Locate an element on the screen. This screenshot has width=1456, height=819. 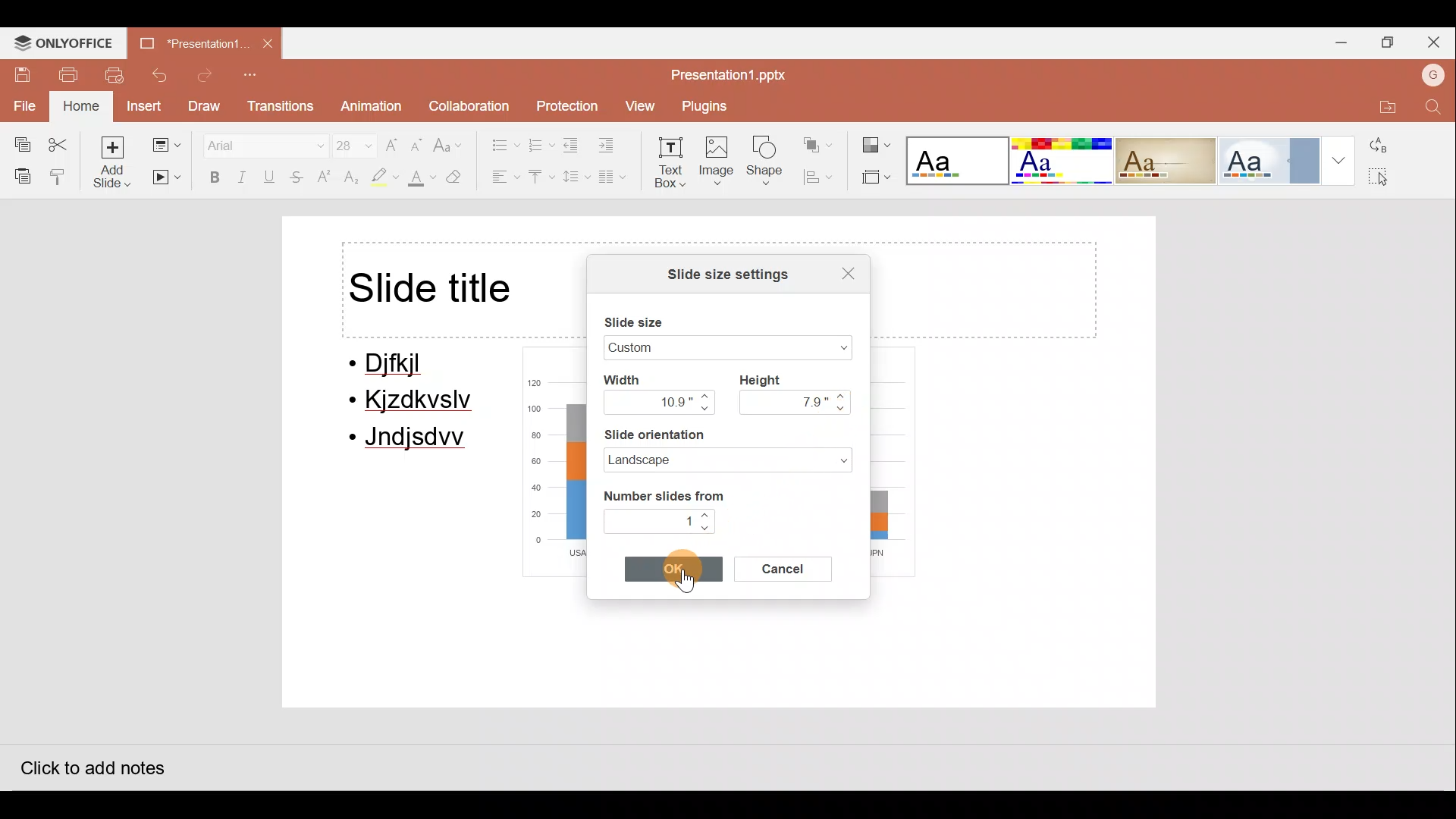
Close is located at coordinates (1437, 39).